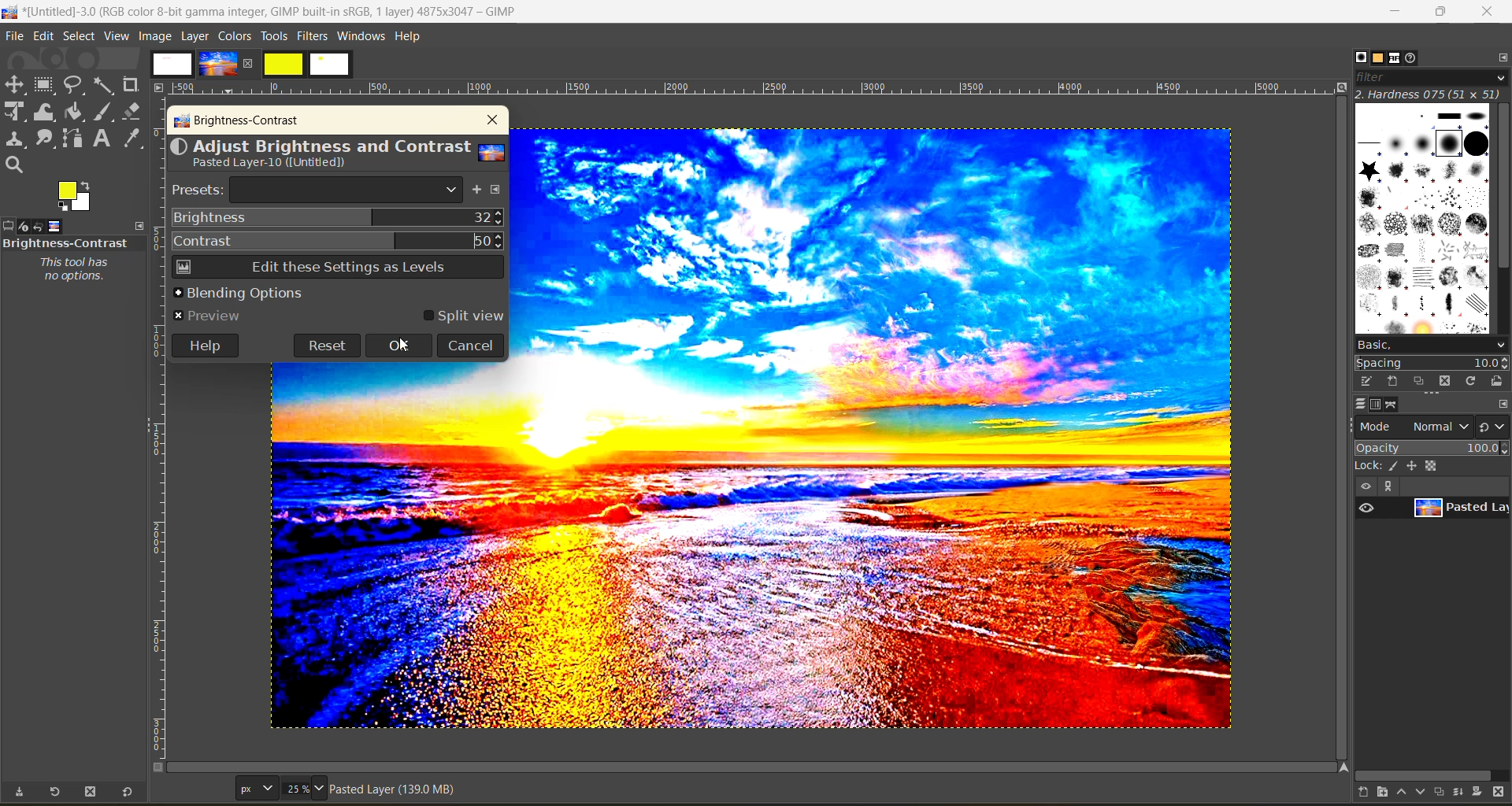 The height and width of the screenshot is (806, 1512). I want to click on cursor, so click(402, 347).